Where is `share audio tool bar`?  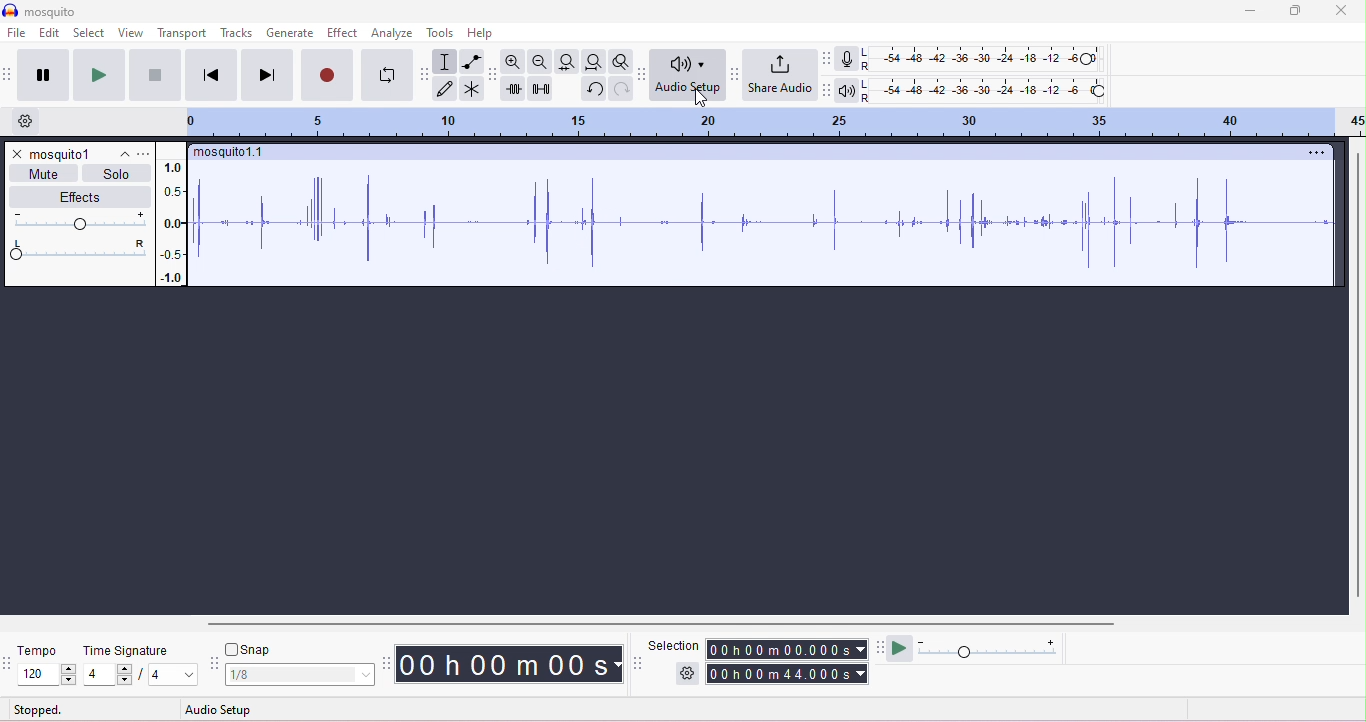 share audio tool bar is located at coordinates (734, 74).